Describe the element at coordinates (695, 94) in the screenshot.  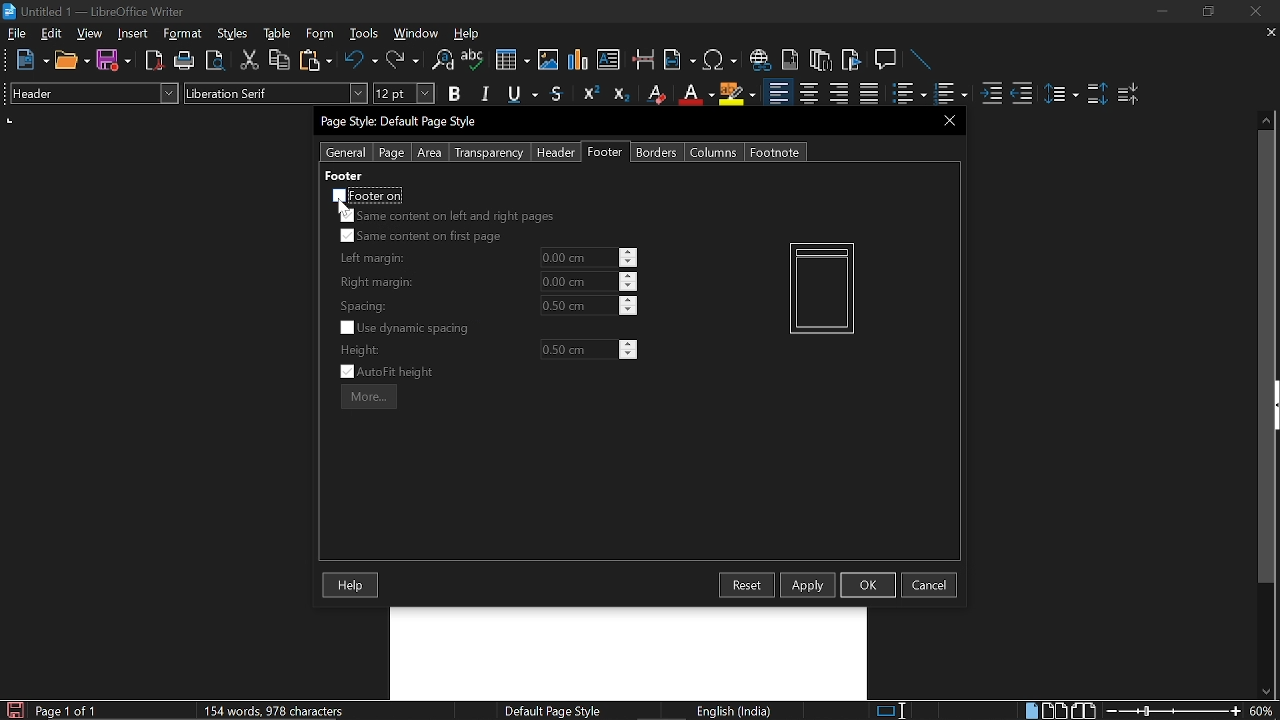
I see `Underline` at that location.